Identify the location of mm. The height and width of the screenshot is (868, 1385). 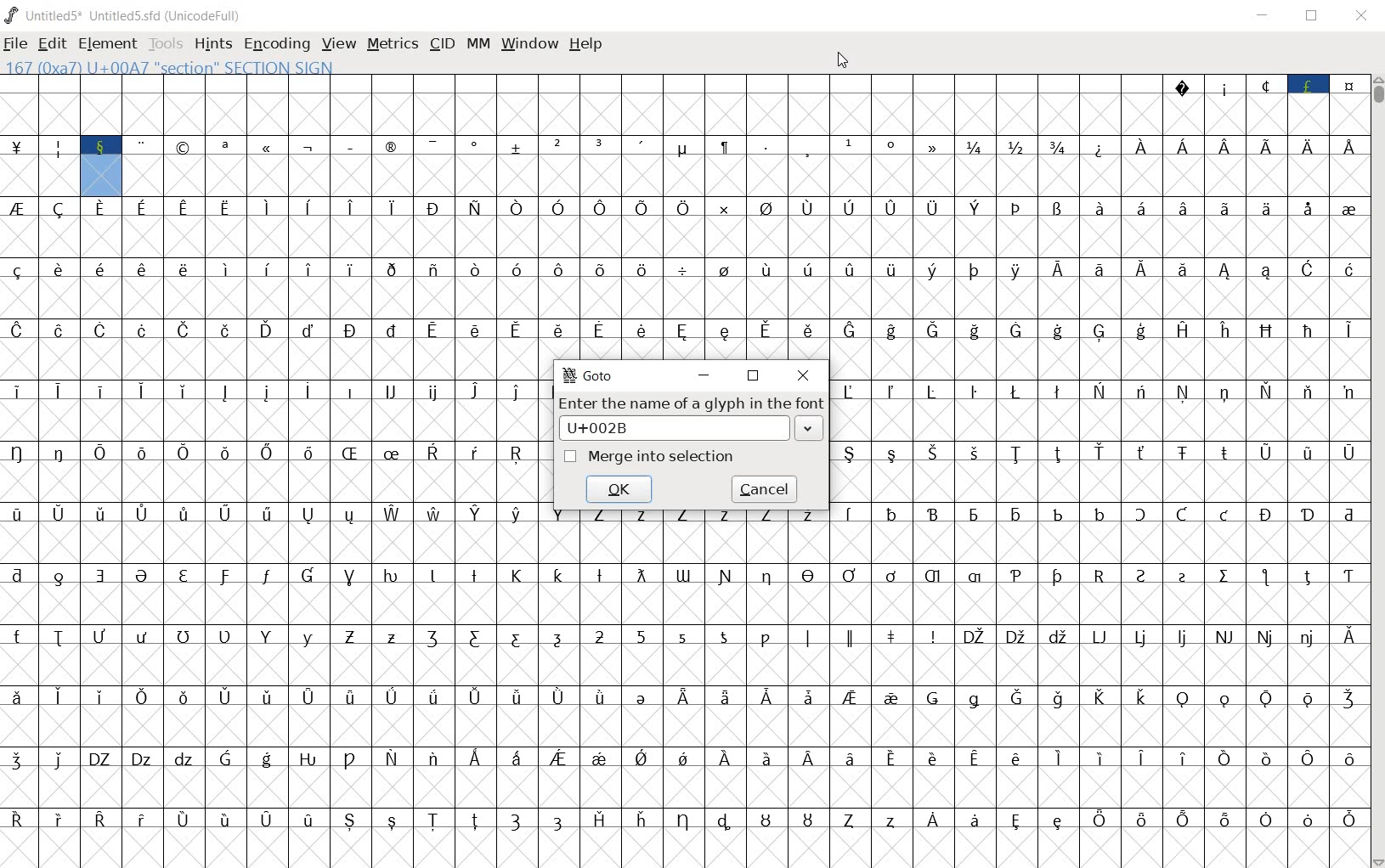
(476, 42).